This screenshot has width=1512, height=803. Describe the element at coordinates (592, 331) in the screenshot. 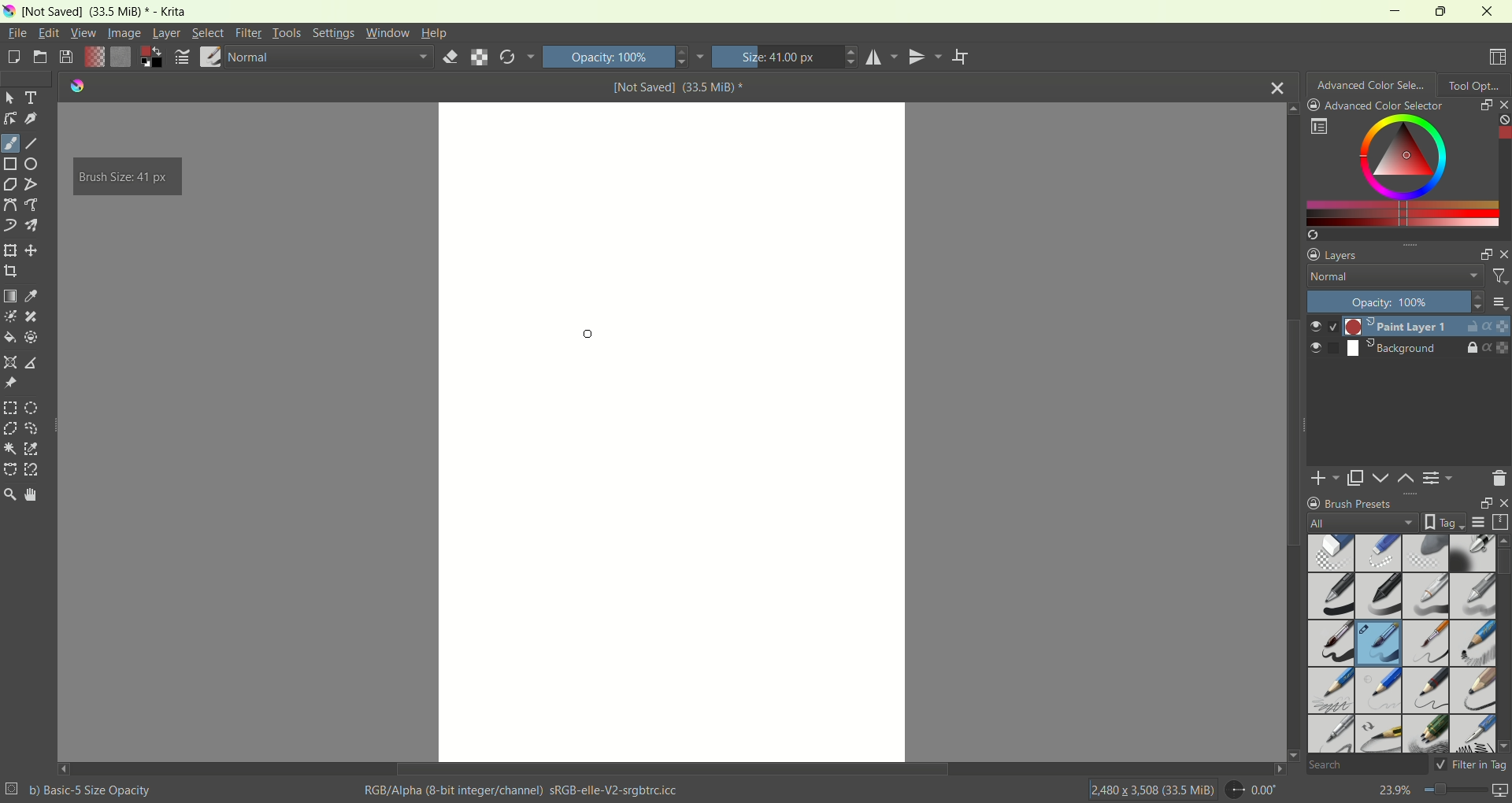

I see `cursor/brush` at that location.